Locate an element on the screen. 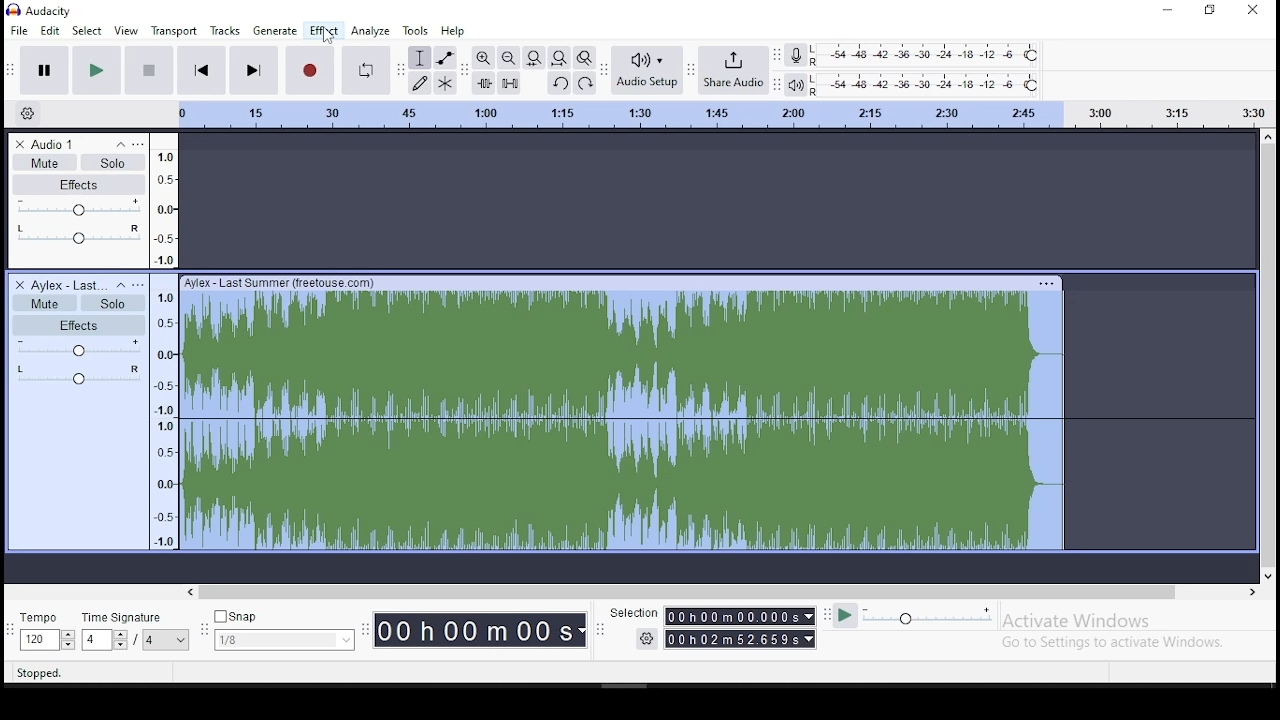 The width and height of the screenshot is (1280, 720). zoom toggle is located at coordinates (585, 58).